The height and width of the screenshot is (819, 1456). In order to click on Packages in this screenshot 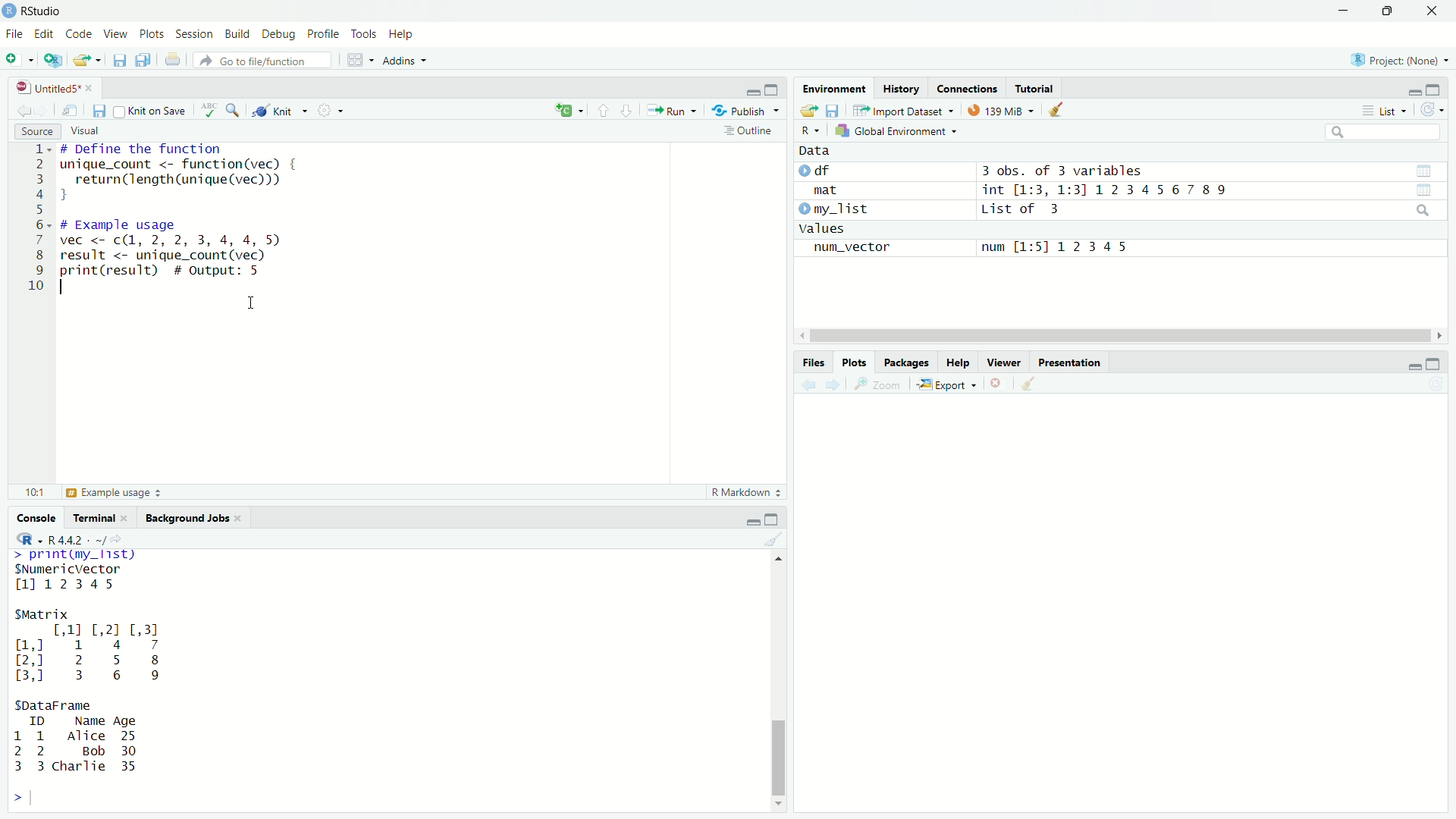, I will do `click(905, 362)`.